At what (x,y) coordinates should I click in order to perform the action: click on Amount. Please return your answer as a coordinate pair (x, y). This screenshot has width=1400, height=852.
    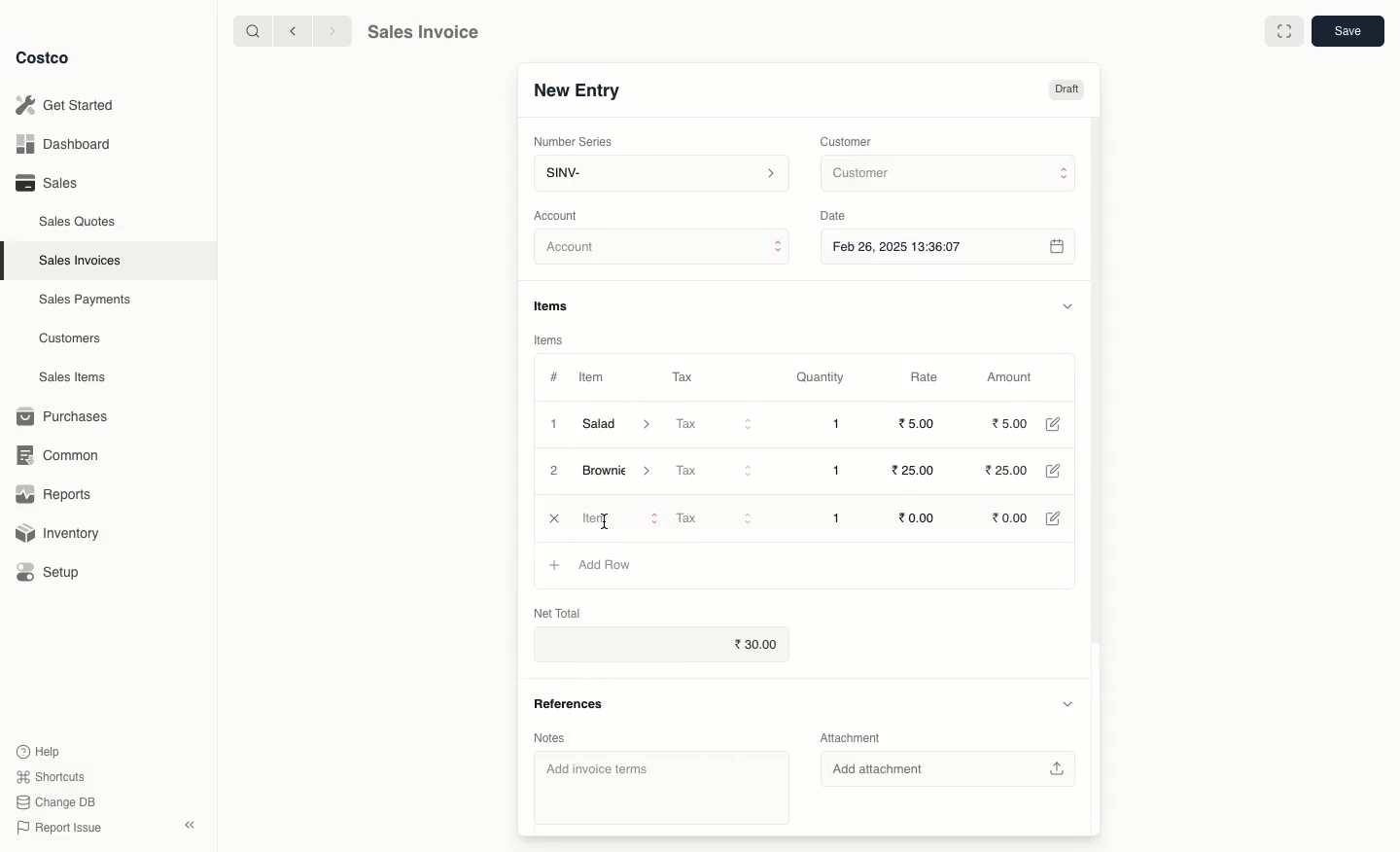
    Looking at the image, I should click on (1015, 377).